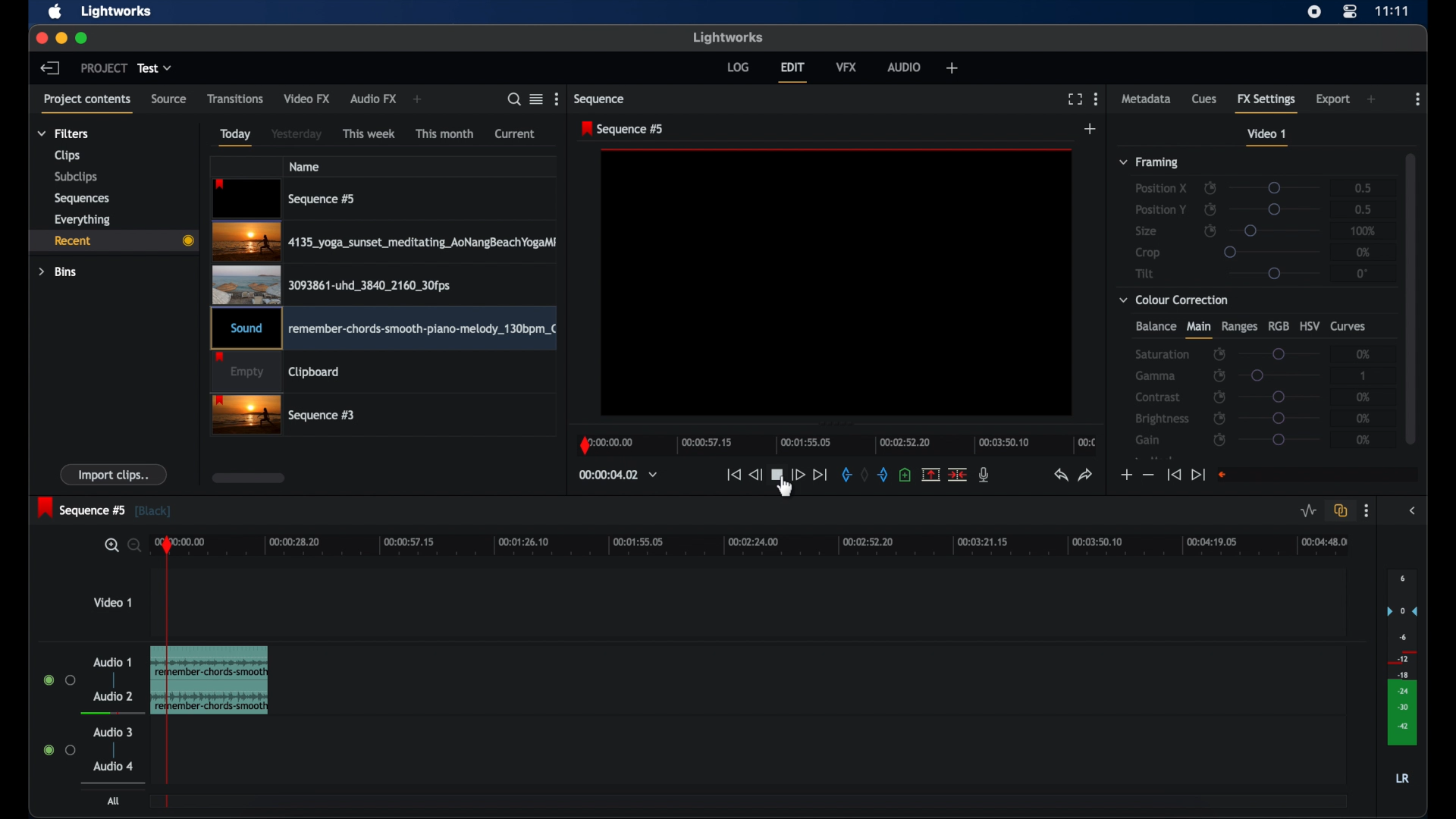 The height and width of the screenshot is (819, 1456). I want to click on current, so click(515, 134).